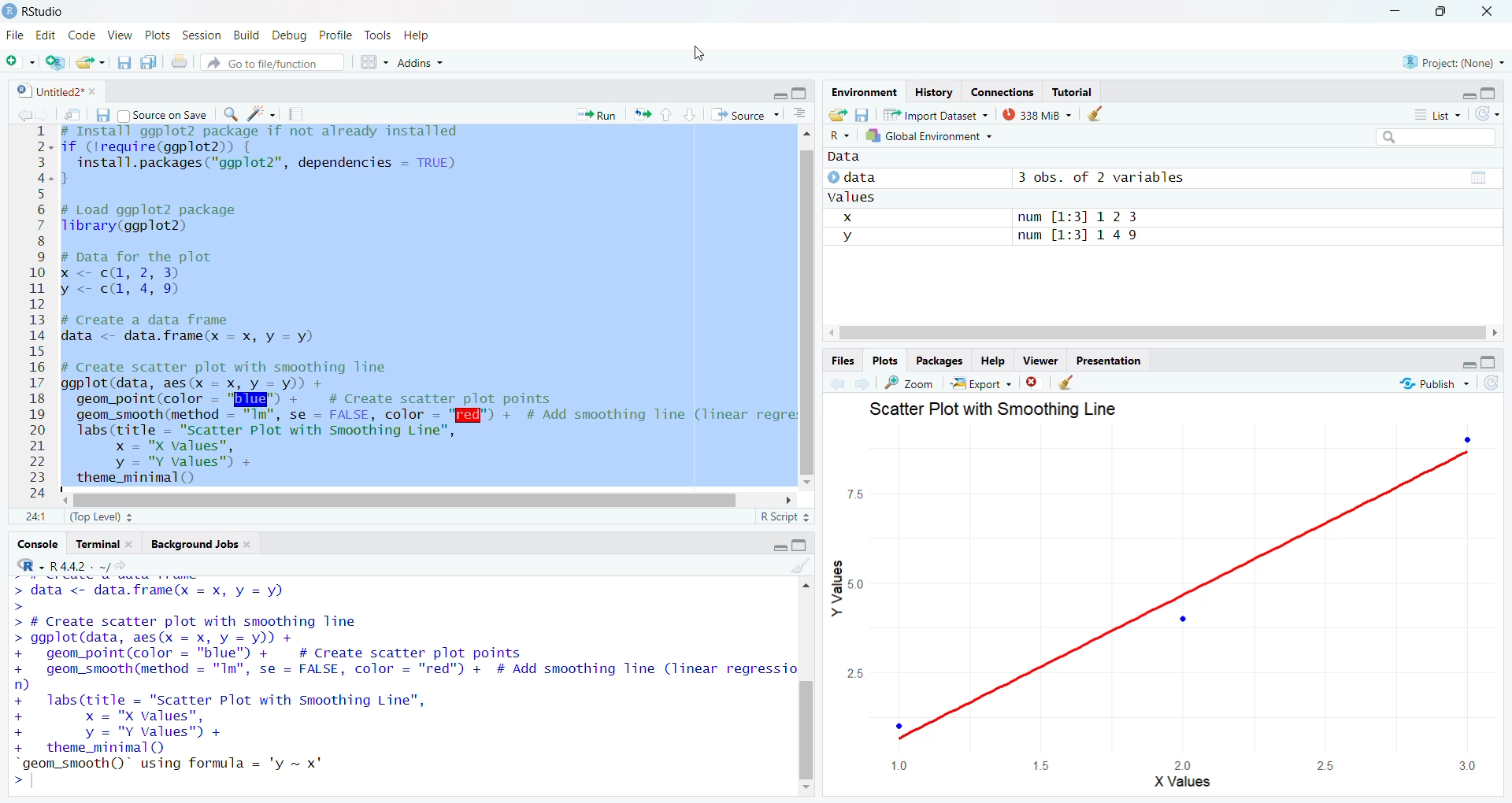 Image resolution: width=1512 pixels, height=803 pixels. Describe the element at coordinates (1088, 235) in the screenshot. I see `num [1:3] 149` at that location.